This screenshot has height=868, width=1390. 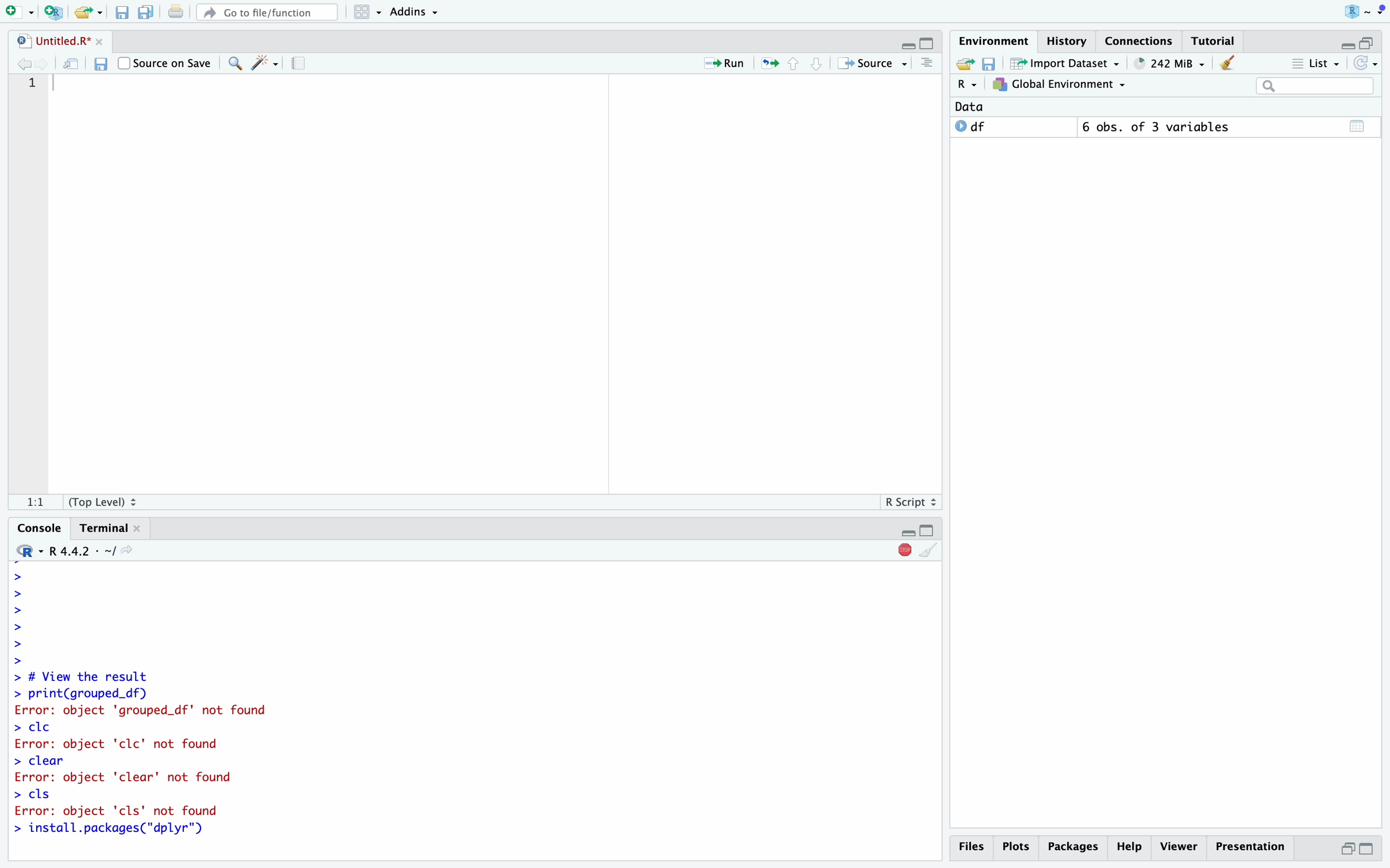 I want to click on Environment, so click(x=994, y=40).